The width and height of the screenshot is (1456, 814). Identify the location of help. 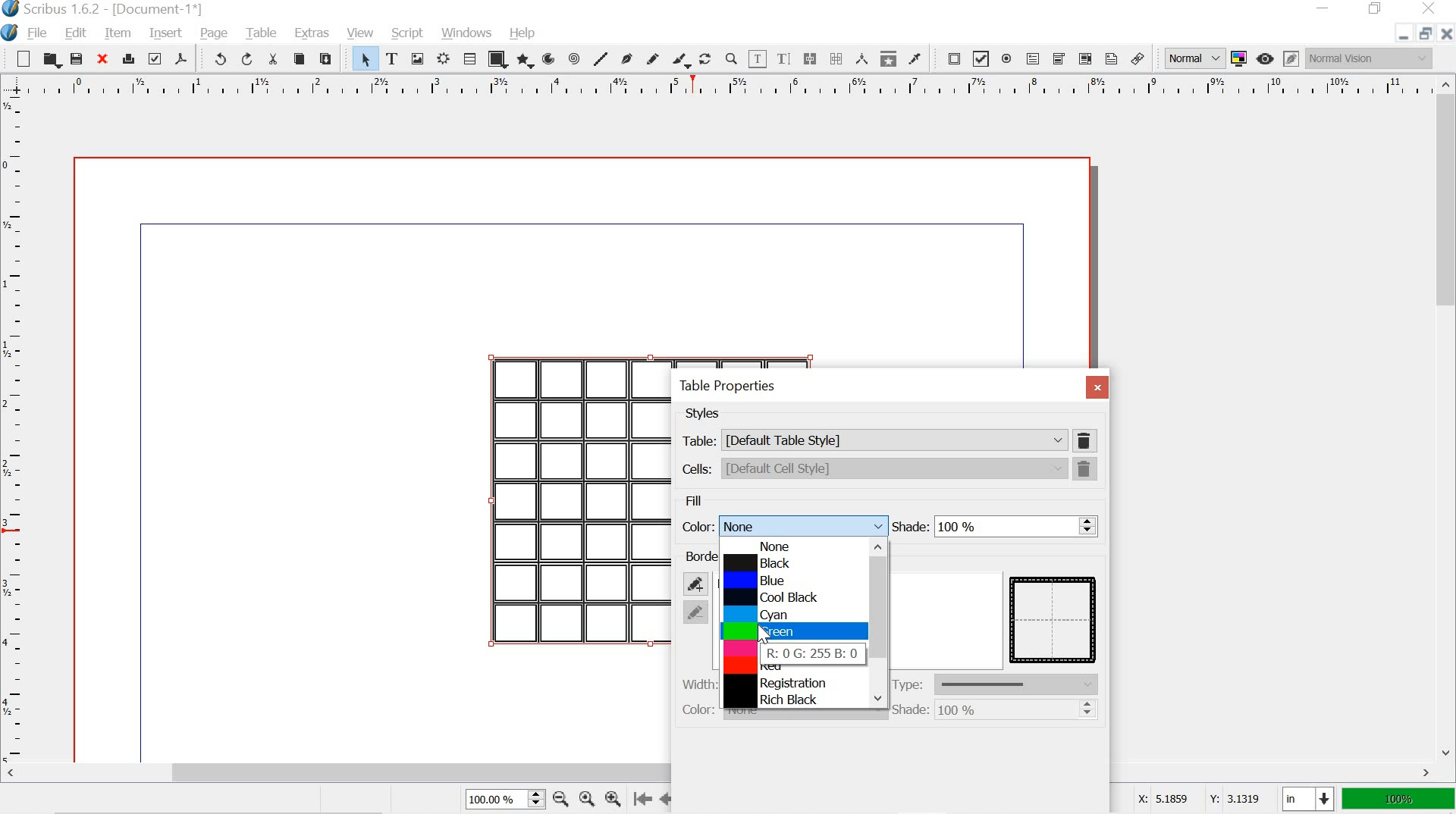
(523, 31).